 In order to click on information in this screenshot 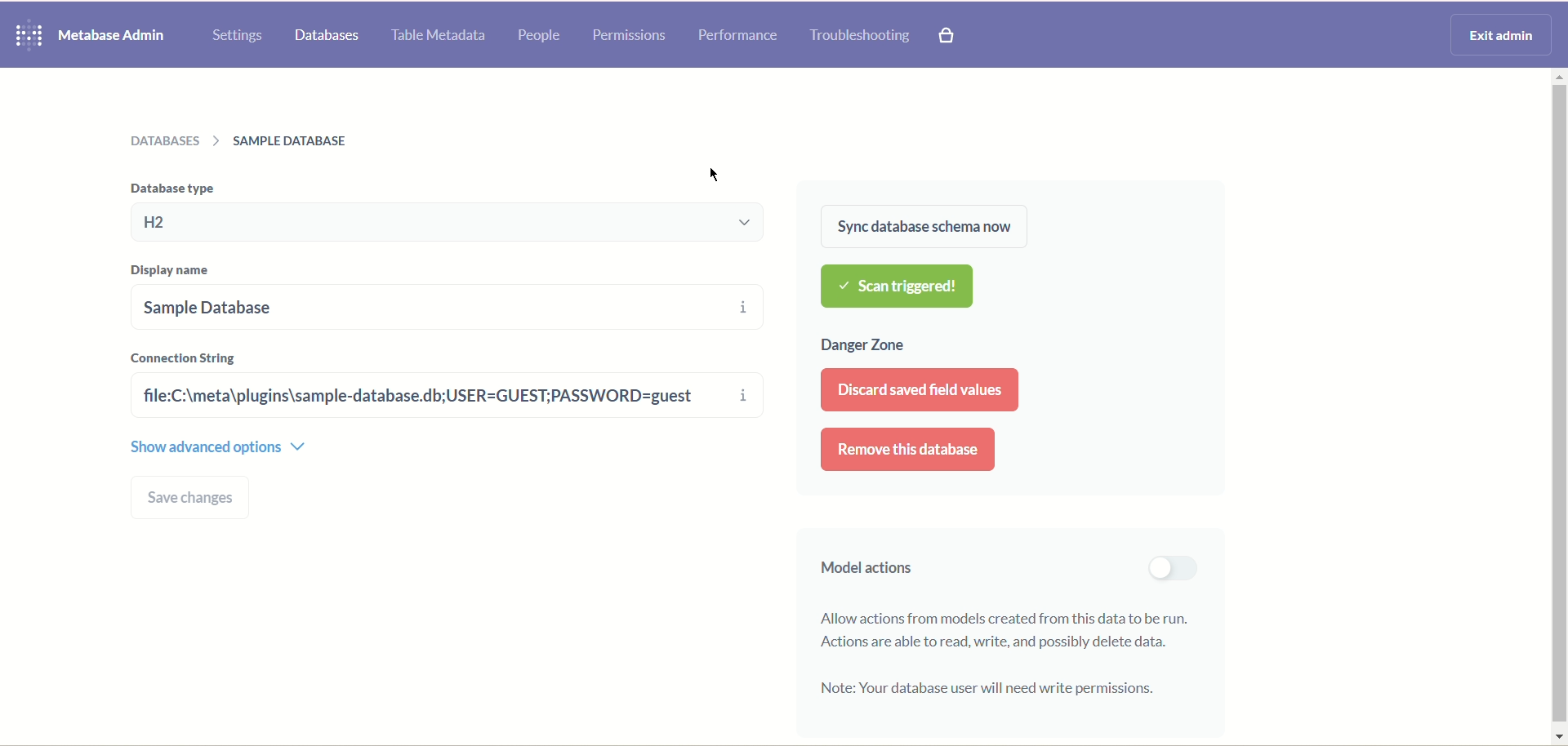, I will do `click(746, 355)`.